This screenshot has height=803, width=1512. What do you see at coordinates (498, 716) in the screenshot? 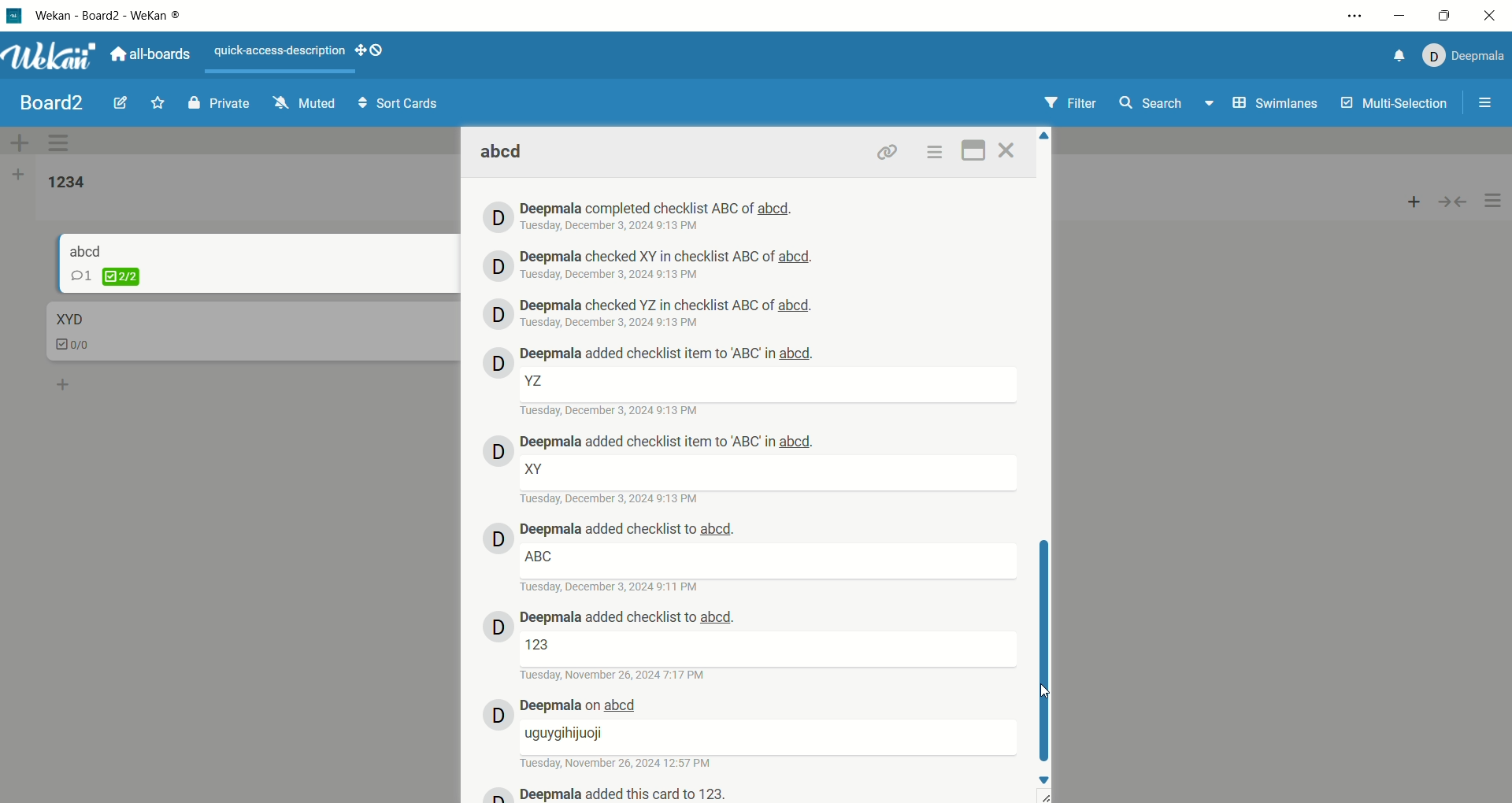
I see `avatar` at bounding box center [498, 716].